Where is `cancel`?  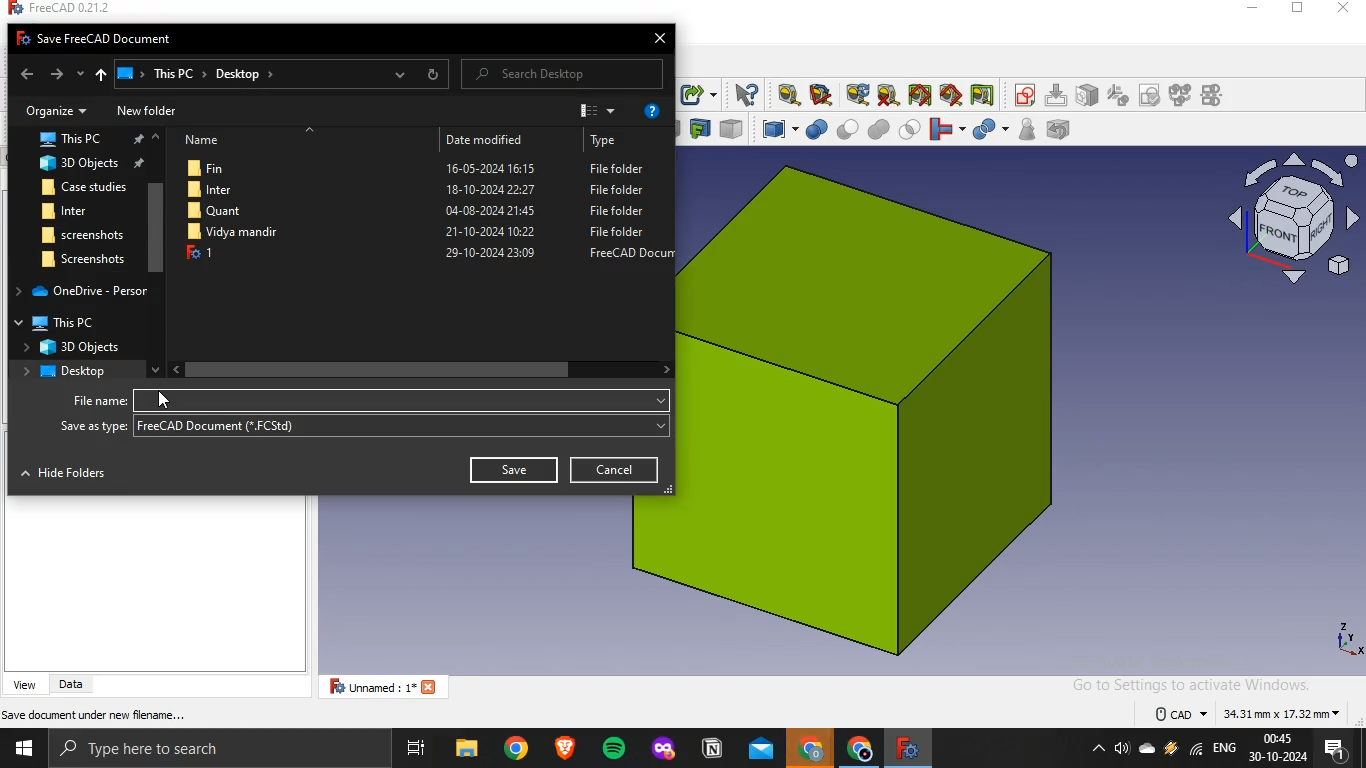
cancel is located at coordinates (613, 470).